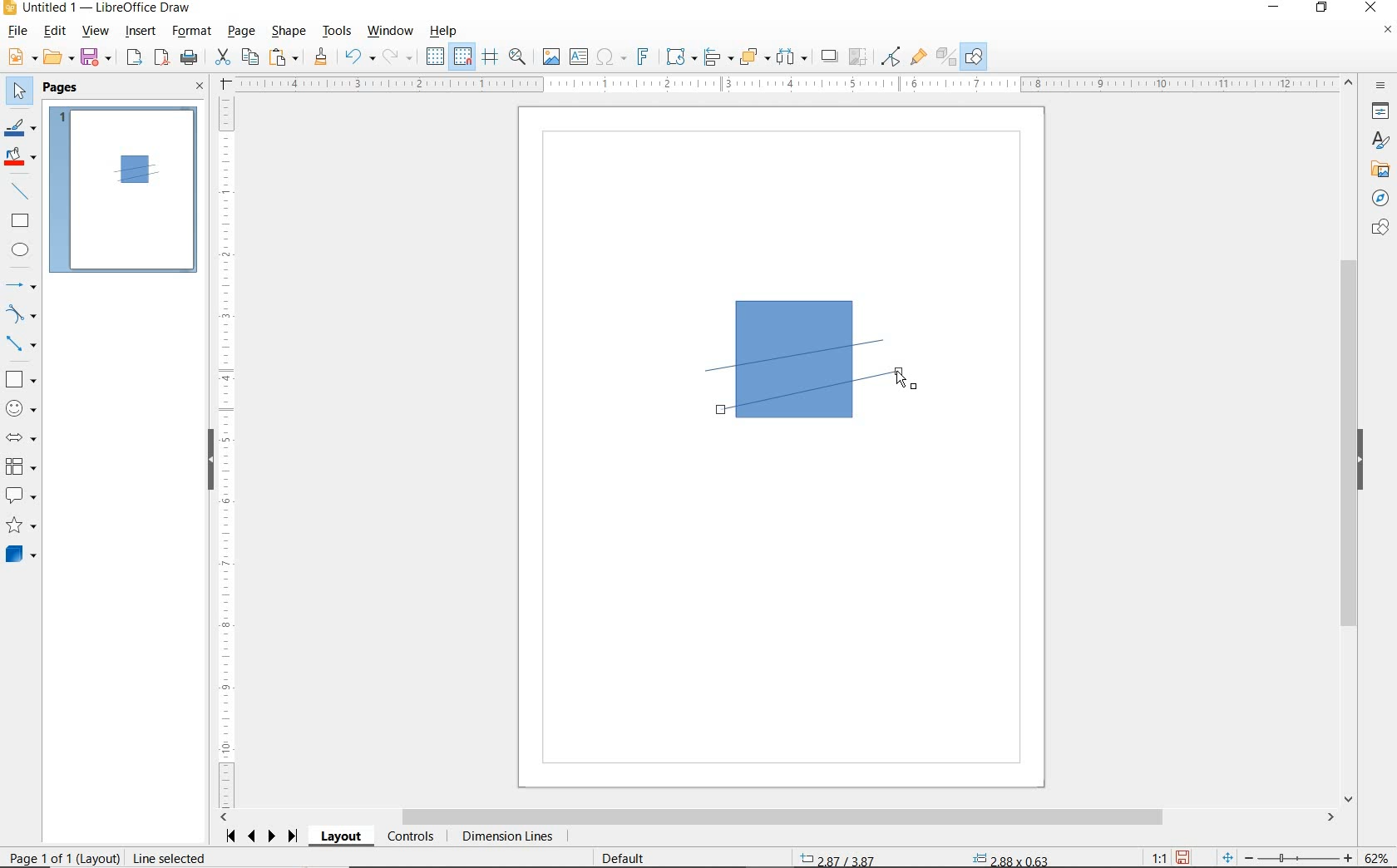  I want to click on SCALING FACTOR, so click(1153, 854).